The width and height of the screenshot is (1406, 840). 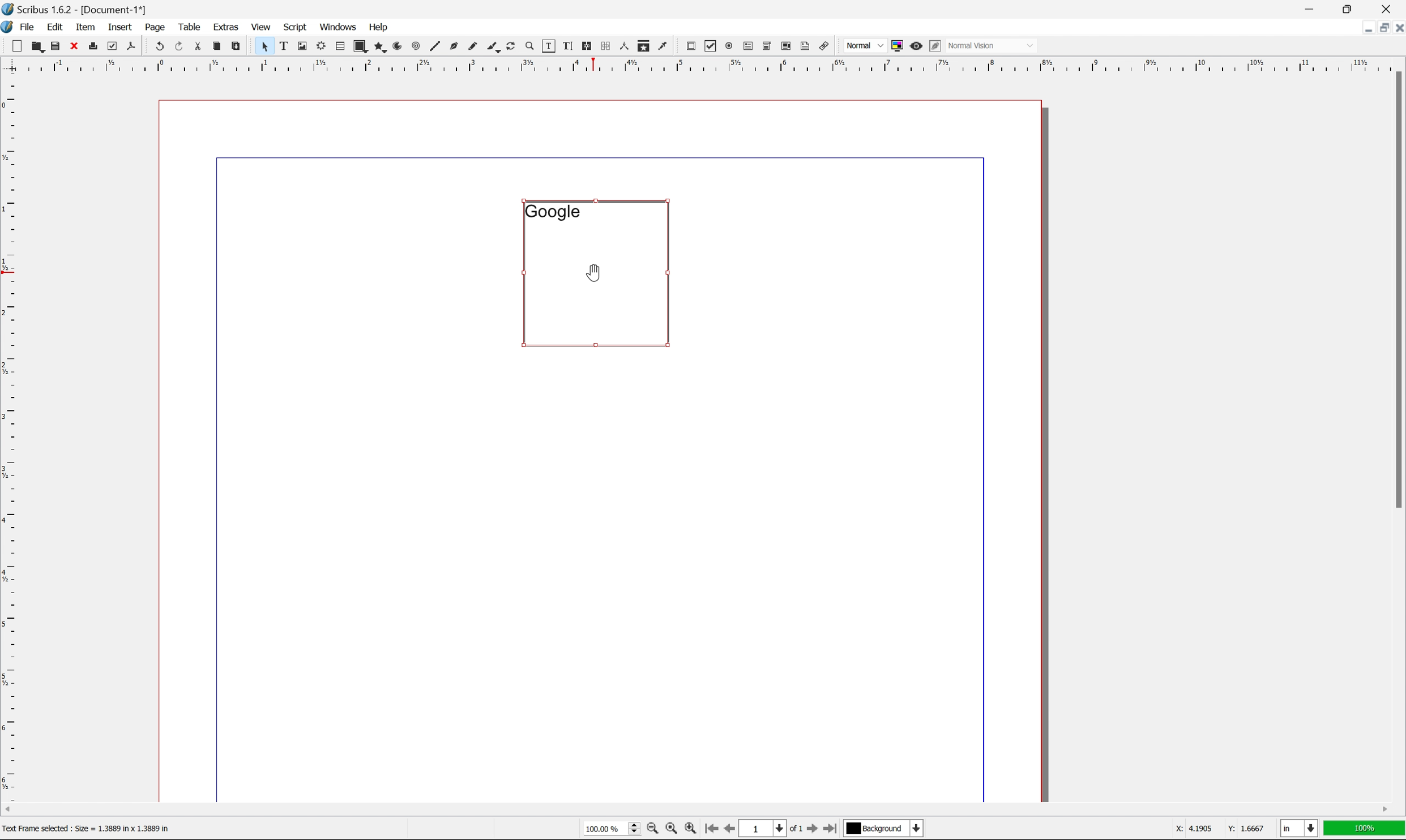 What do you see at coordinates (228, 27) in the screenshot?
I see `extras` at bounding box center [228, 27].